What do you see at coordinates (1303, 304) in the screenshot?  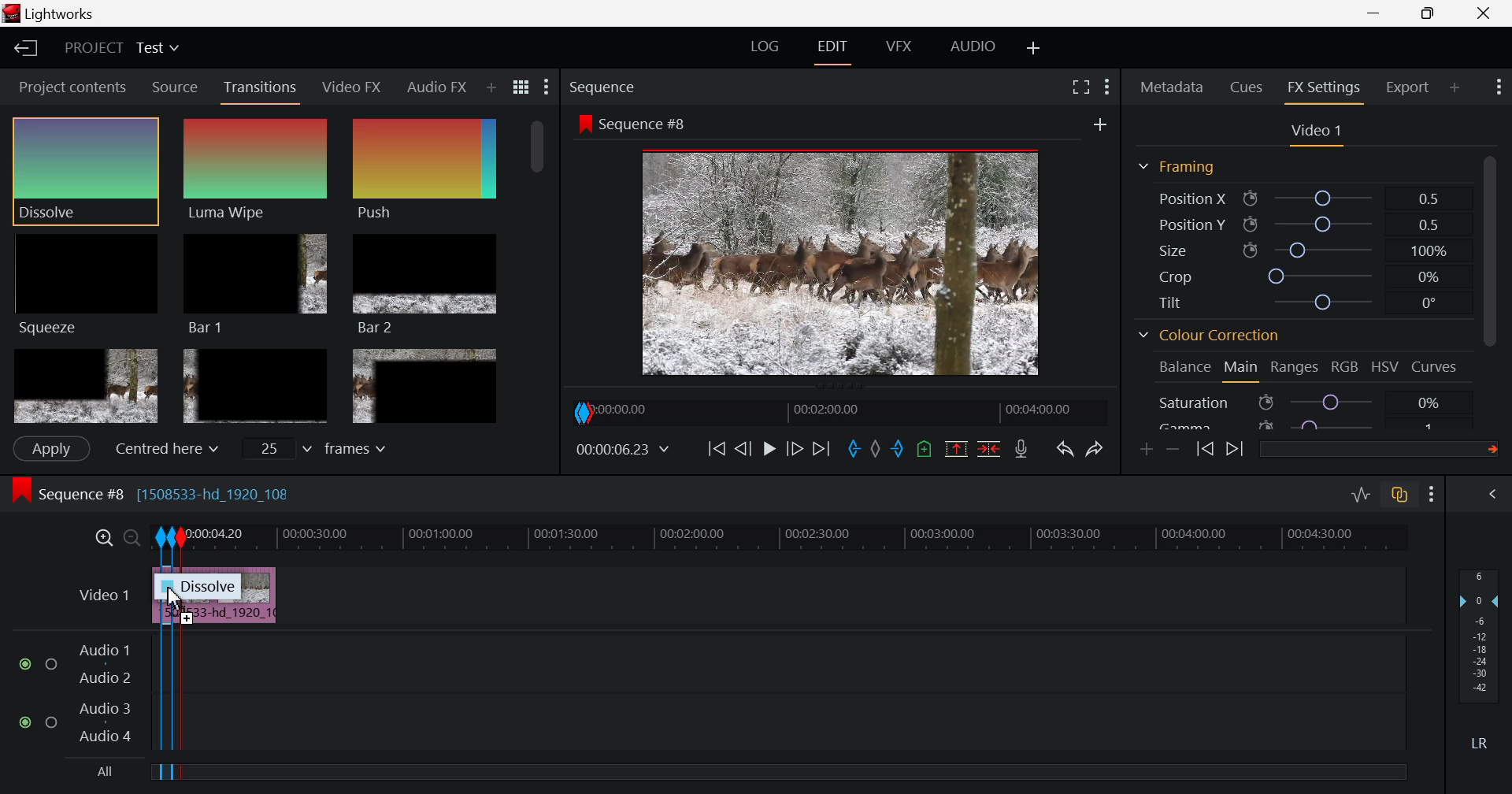 I see `Tilt` at bounding box center [1303, 304].